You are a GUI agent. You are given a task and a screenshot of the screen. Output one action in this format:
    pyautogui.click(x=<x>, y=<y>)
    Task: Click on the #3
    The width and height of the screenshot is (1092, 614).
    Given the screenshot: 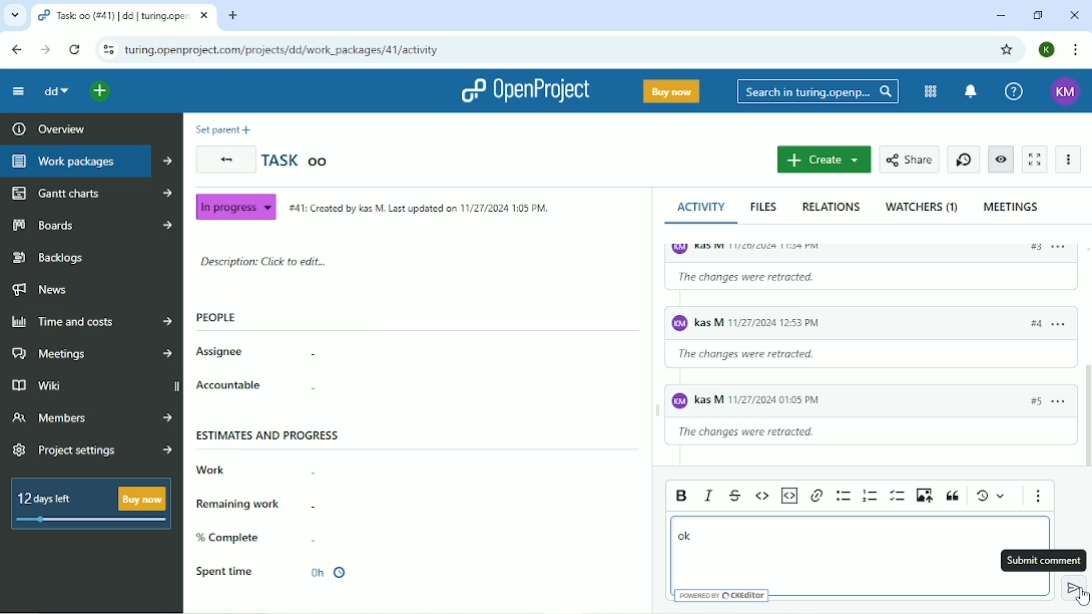 What is the action you would take?
    pyautogui.click(x=1029, y=328)
    